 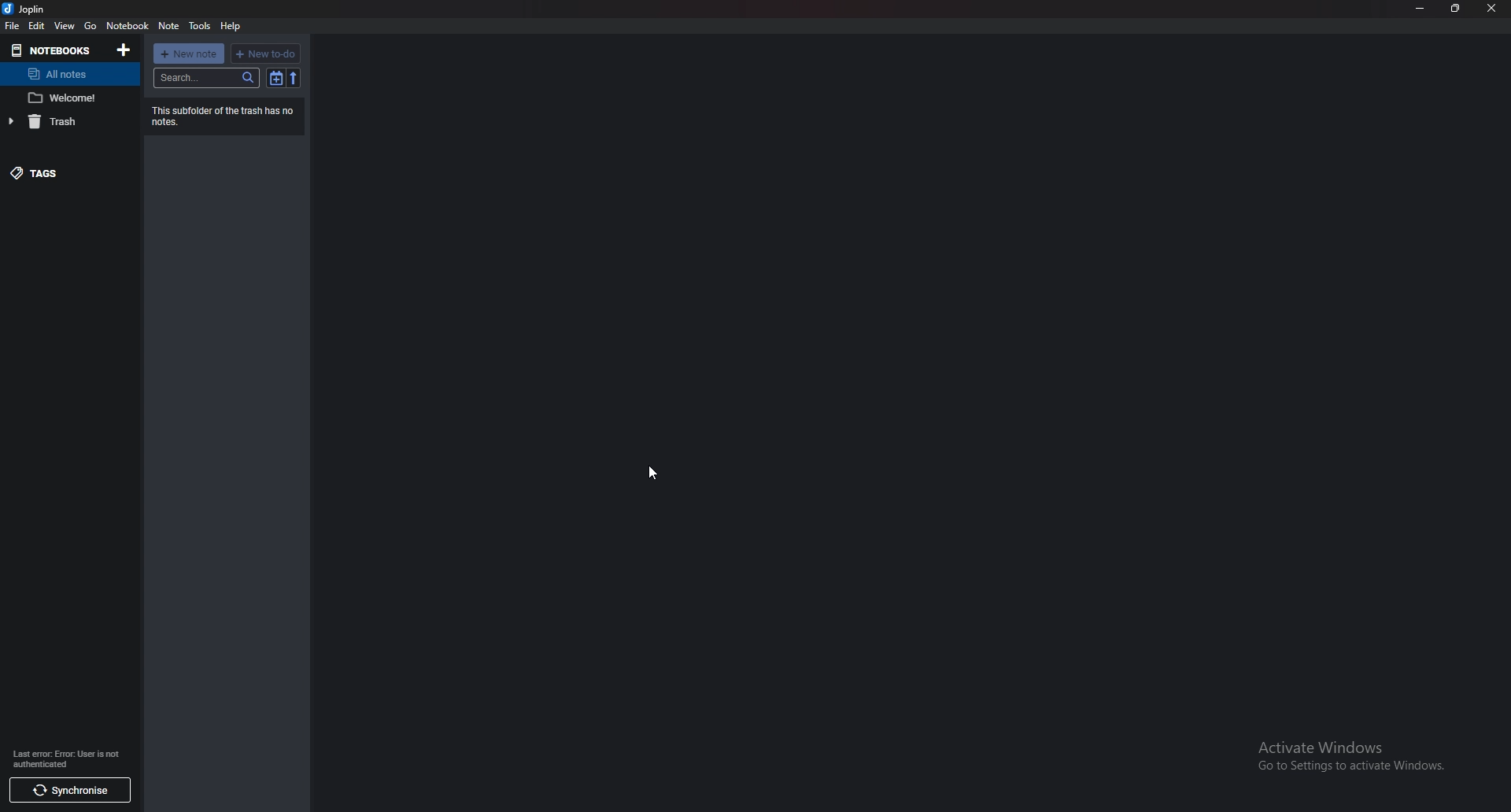 I want to click on tags, so click(x=62, y=172).